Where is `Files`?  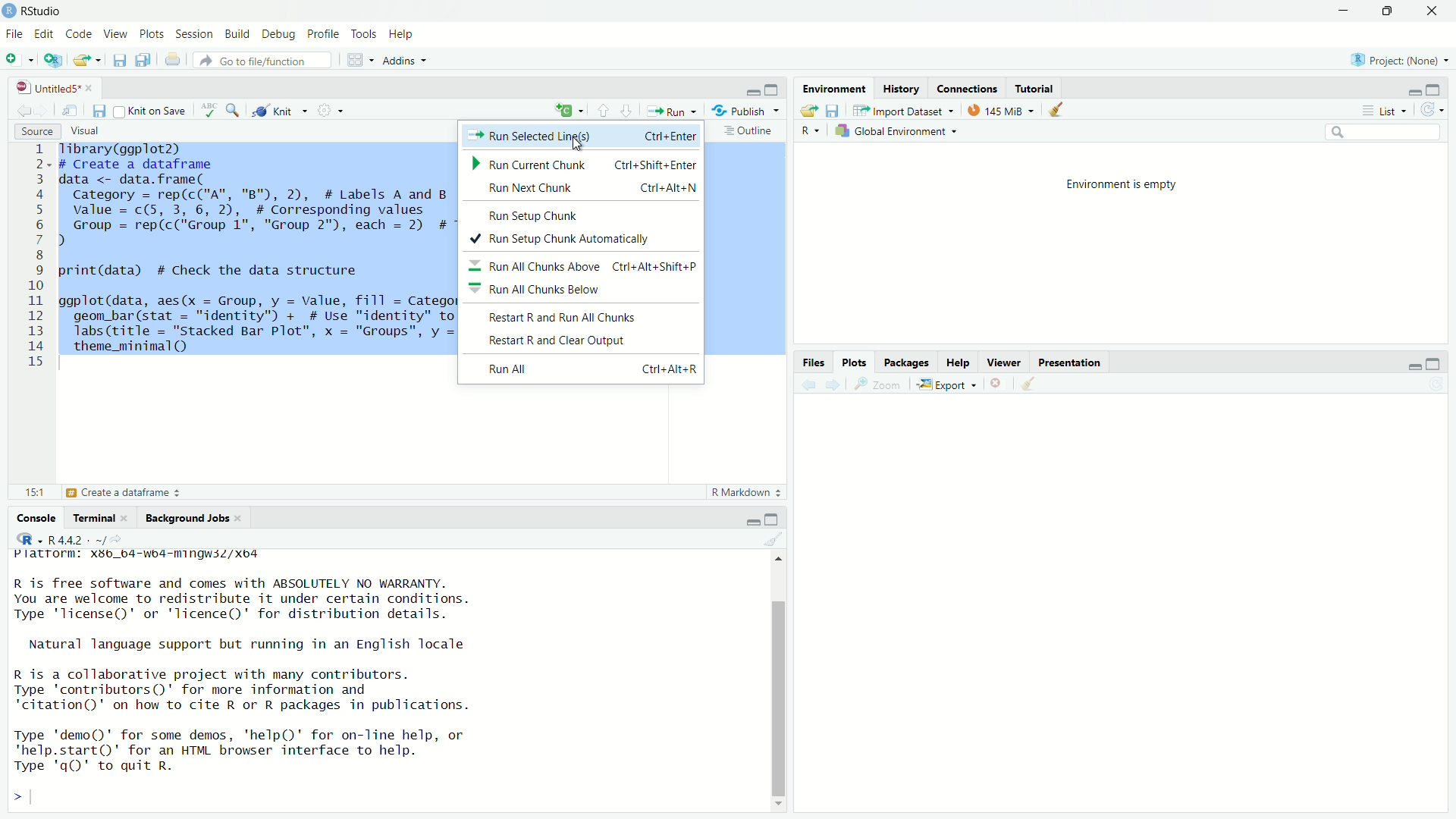 Files is located at coordinates (814, 360).